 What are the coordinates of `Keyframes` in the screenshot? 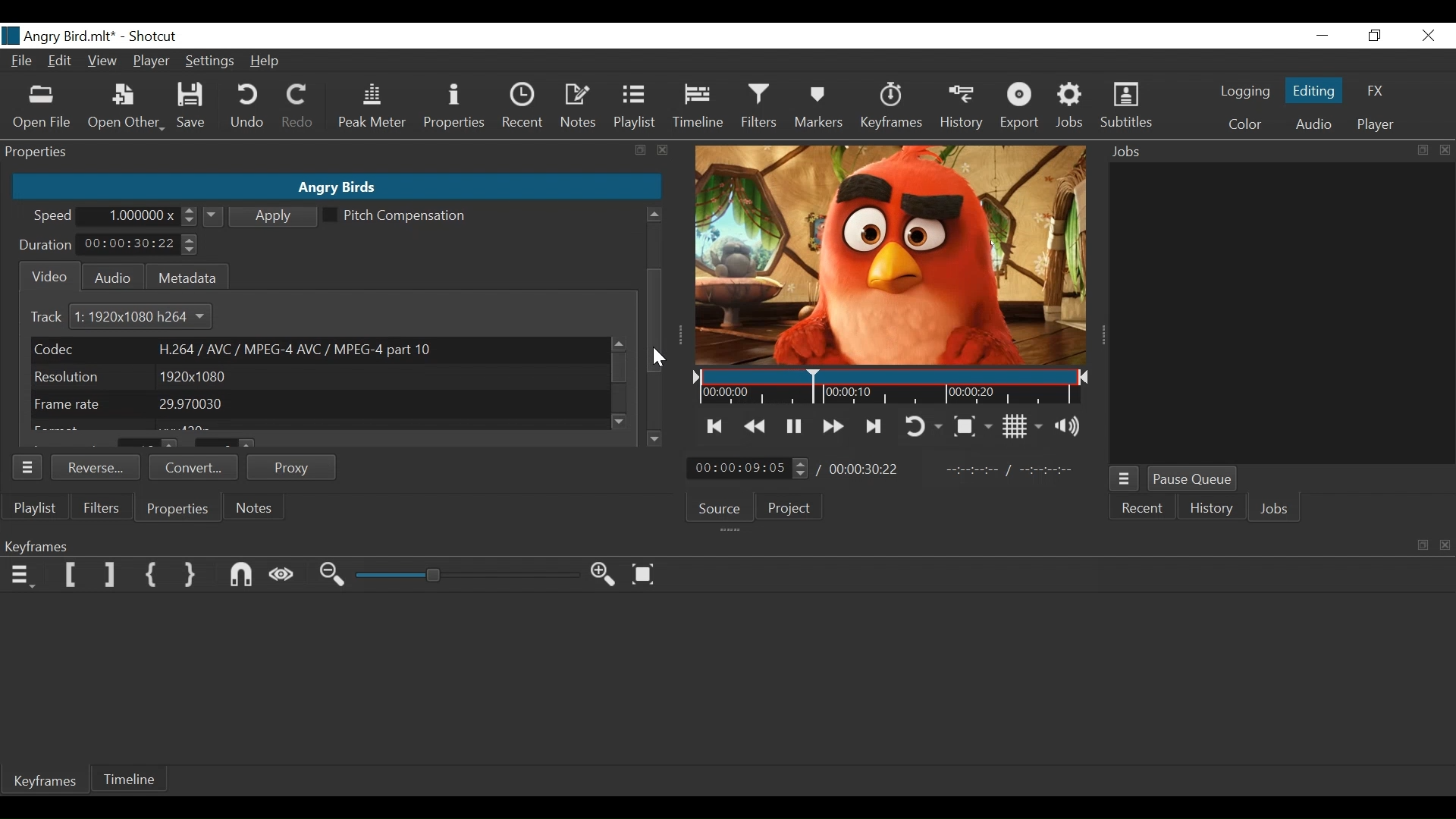 It's located at (47, 783).